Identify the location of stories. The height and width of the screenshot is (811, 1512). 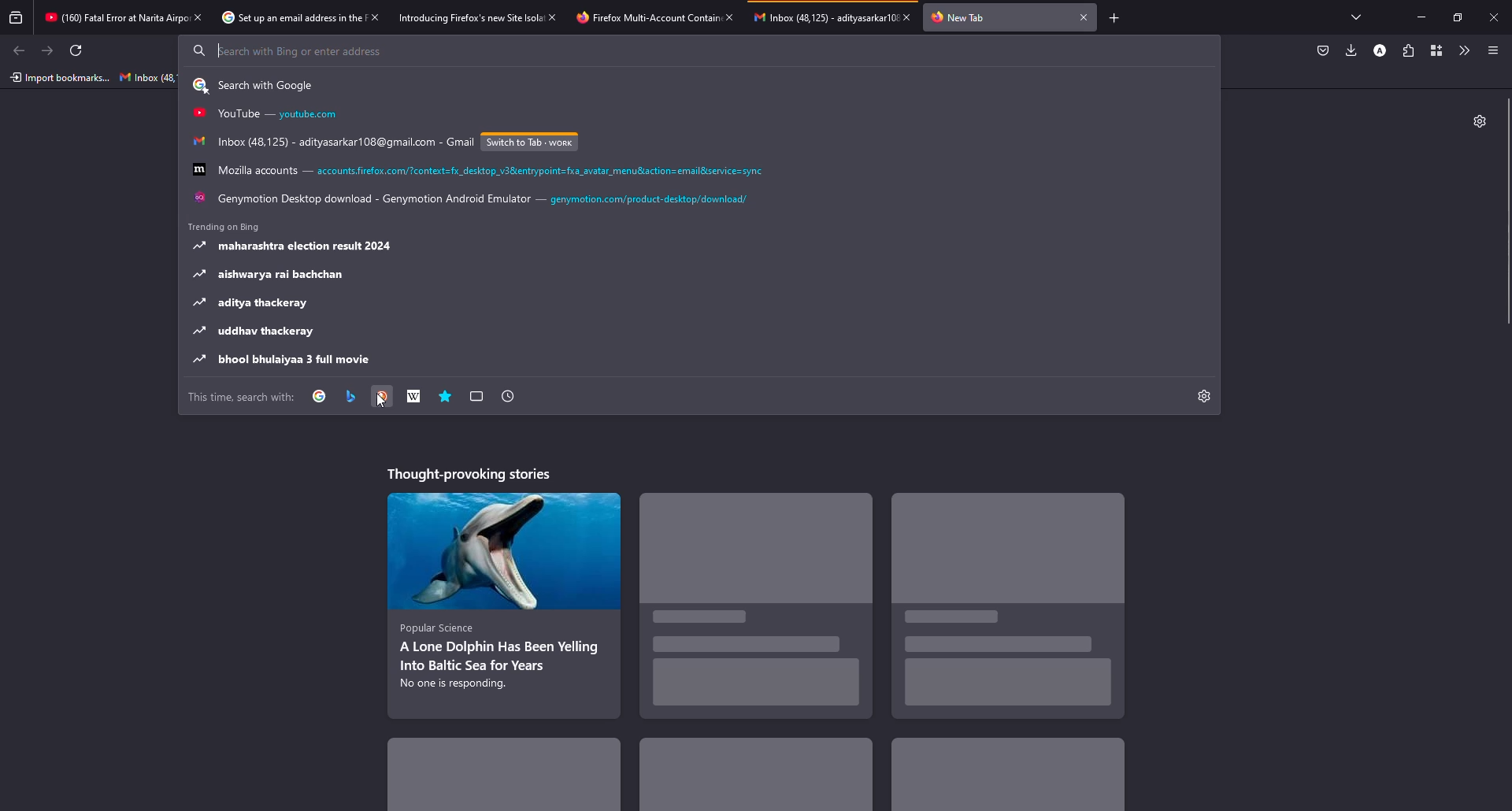
(754, 776).